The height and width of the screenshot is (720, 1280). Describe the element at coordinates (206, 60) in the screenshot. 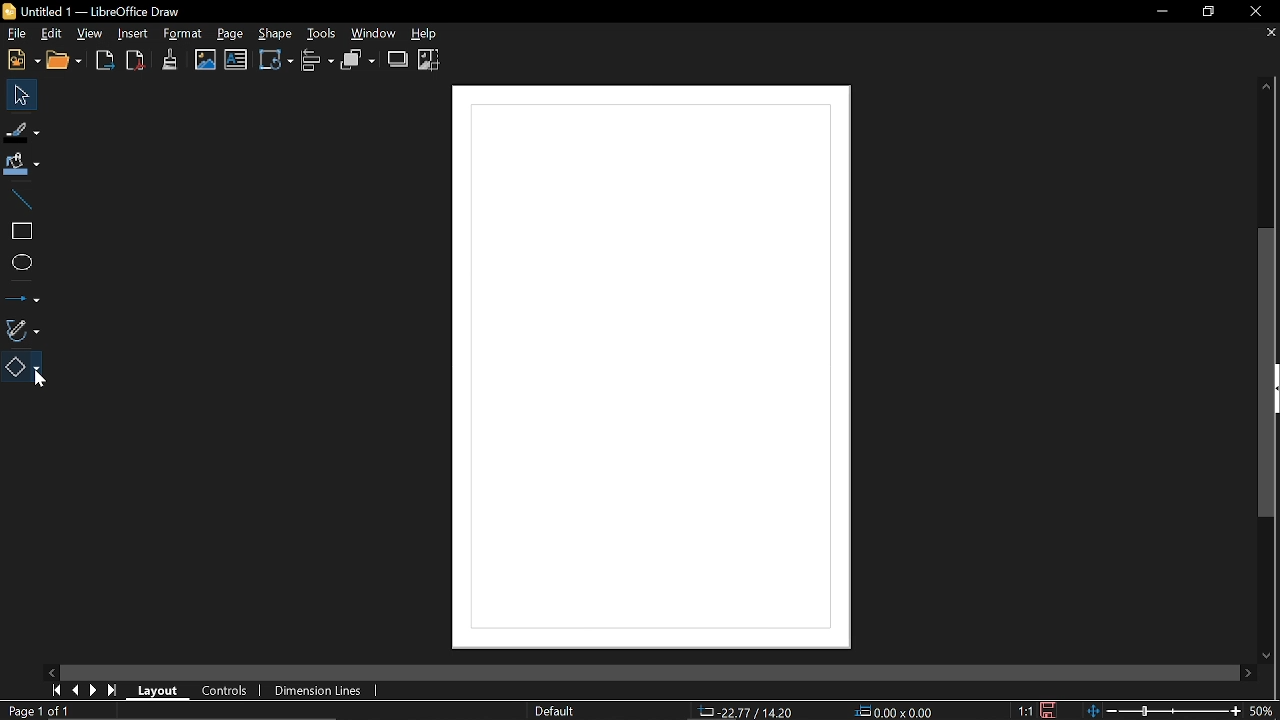

I see `Insert image` at that location.